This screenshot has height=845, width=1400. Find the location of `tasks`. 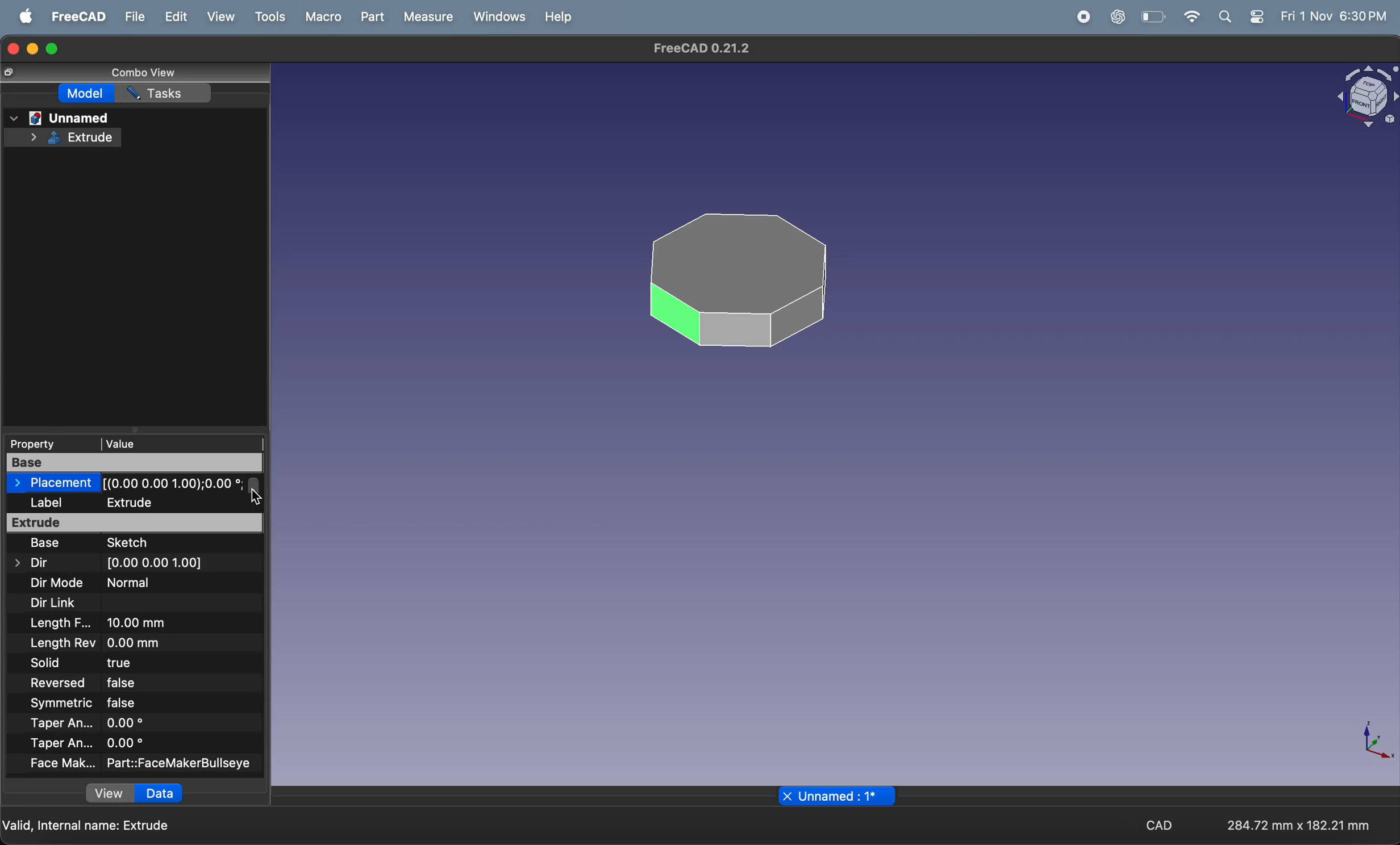

tasks is located at coordinates (168, 94).